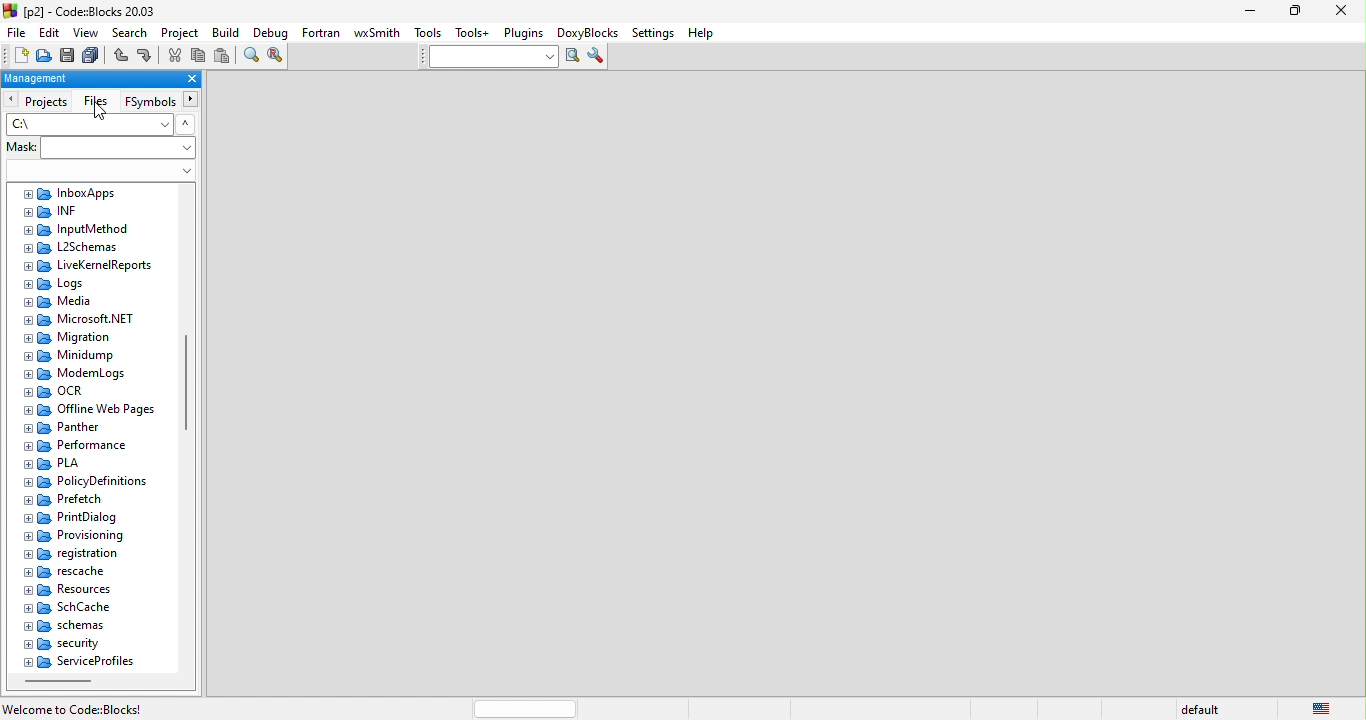 Image resolution: width=1366 pixels, height=720 pixels. Describe the element at coordinates (100, 498) in the screenshot. I see `prefetch` at that location.